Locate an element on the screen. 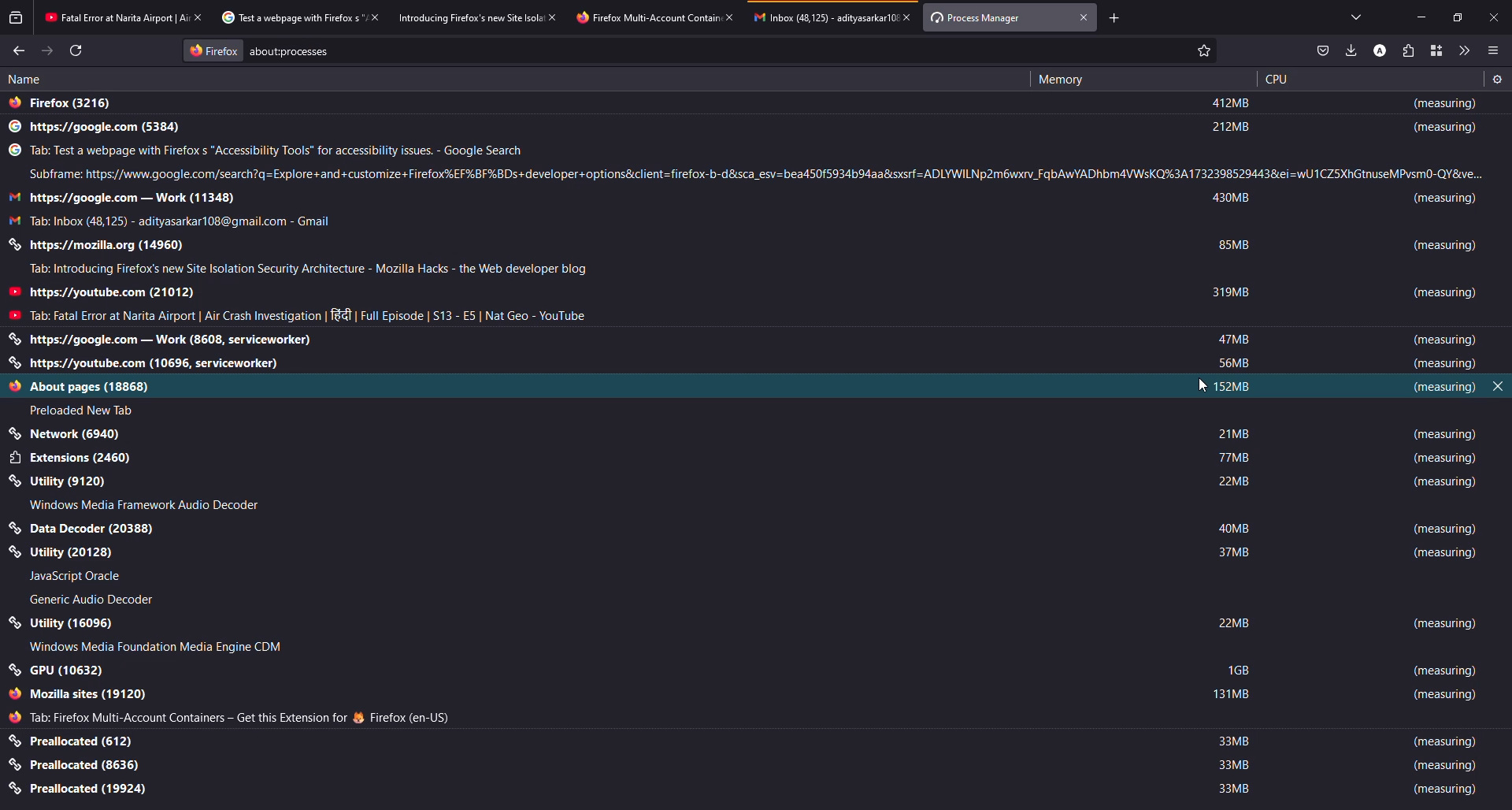 This screenshot has width=1512, height=810. measuring is located at coordinates (1436, 433).